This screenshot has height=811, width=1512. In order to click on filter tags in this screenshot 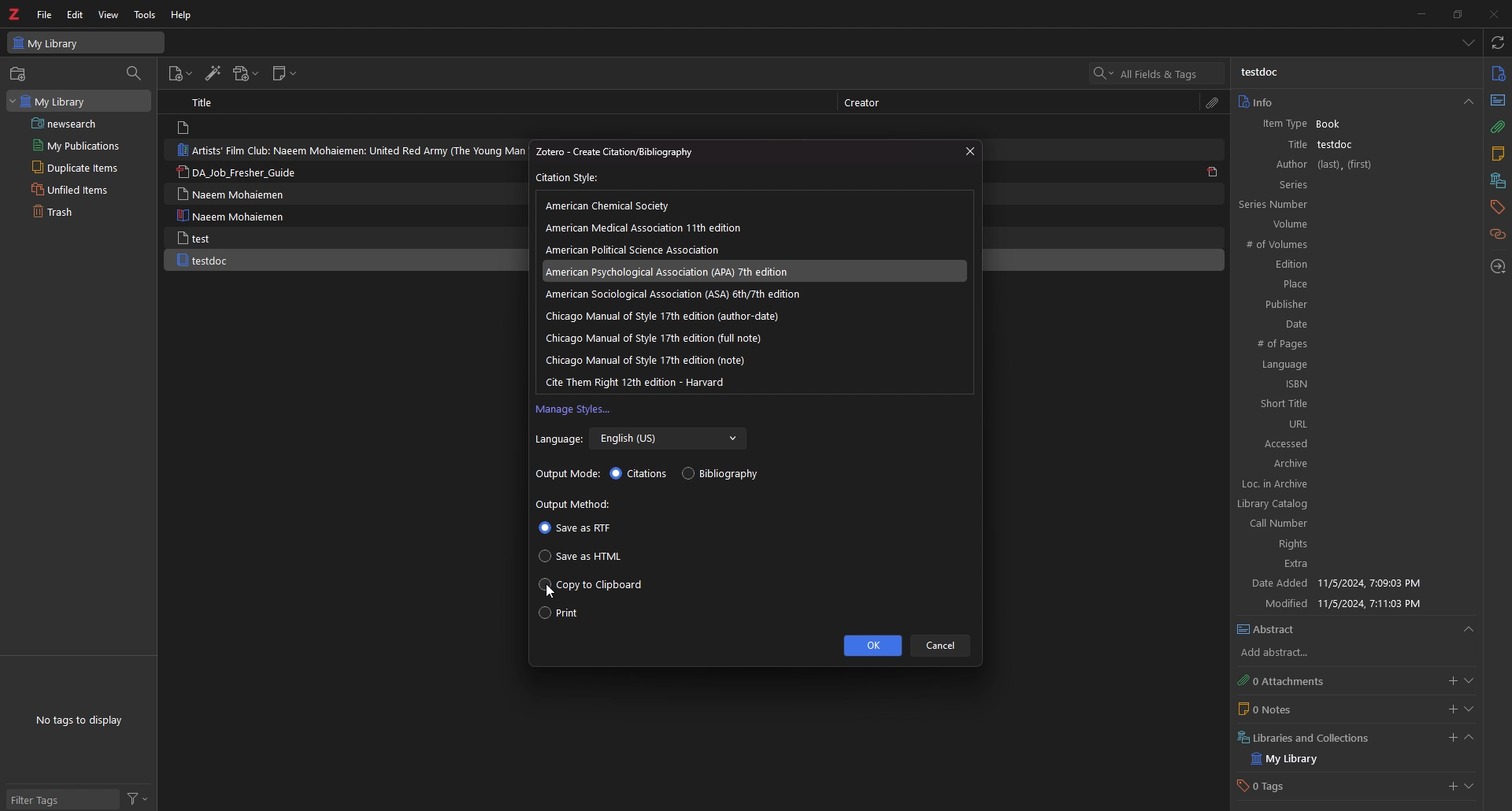, I will do `click(61, 801)`.